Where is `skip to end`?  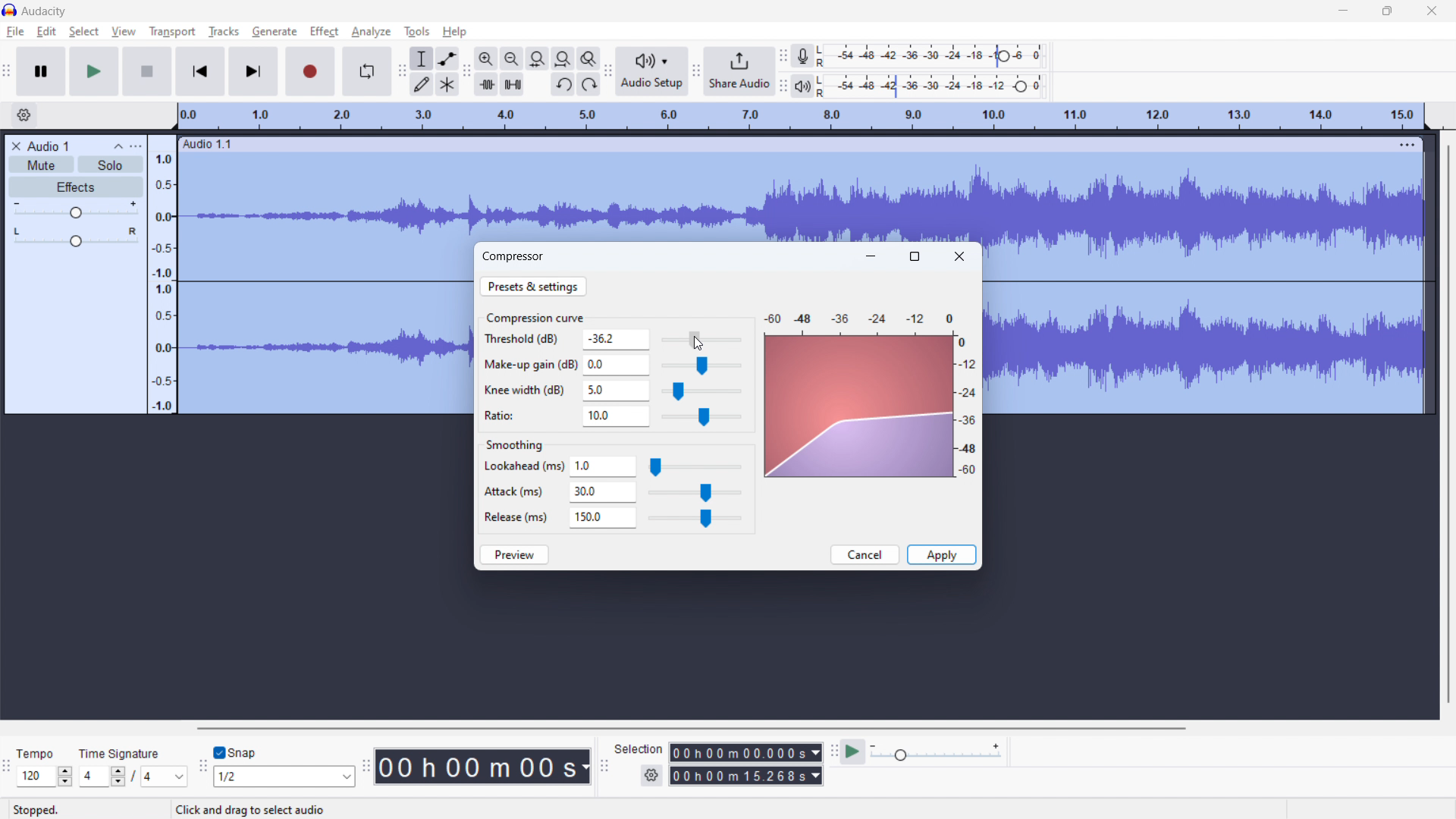 skip to end is located at coordinates (255, 72).